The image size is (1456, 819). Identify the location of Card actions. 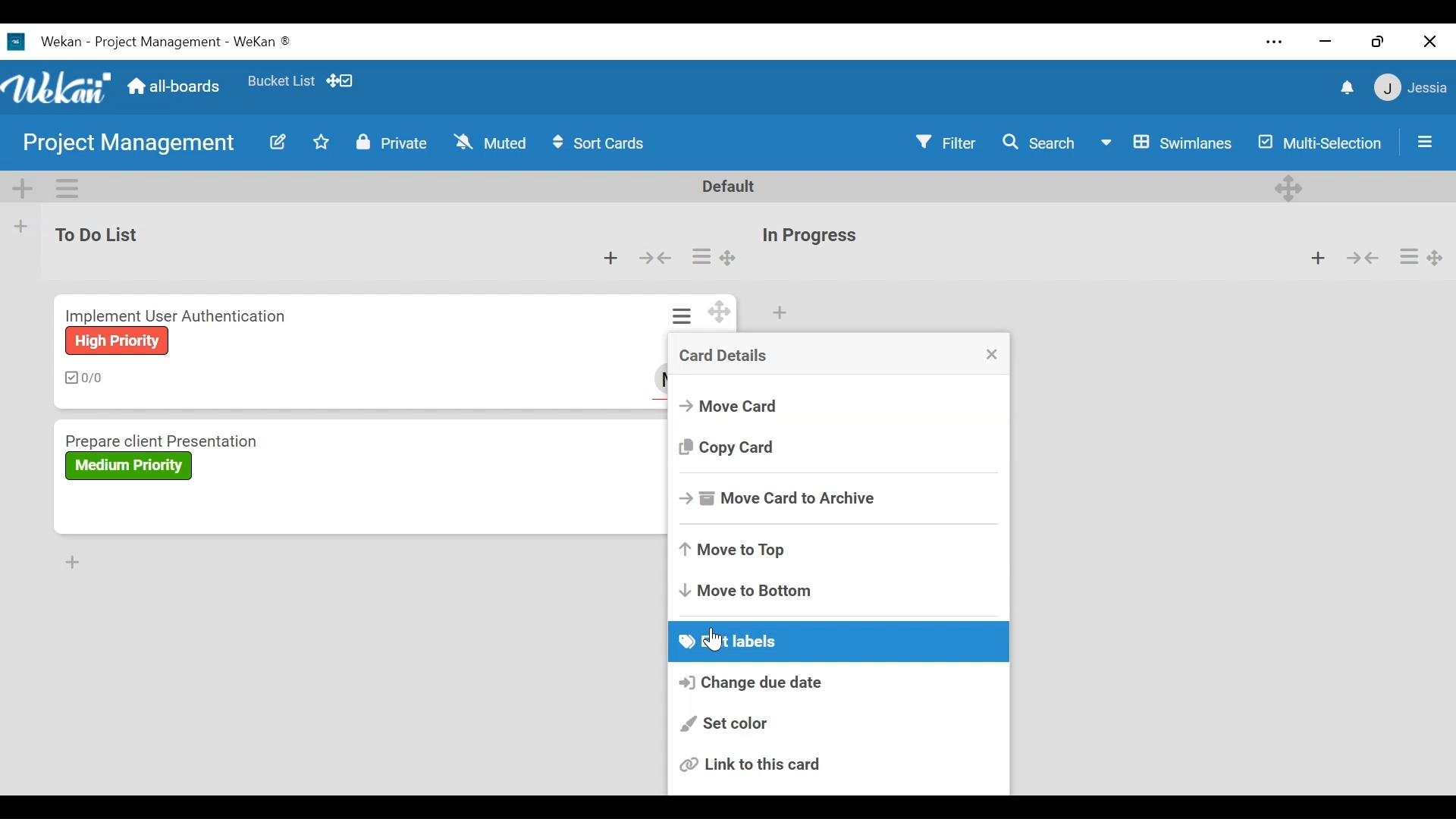
(701, 256).